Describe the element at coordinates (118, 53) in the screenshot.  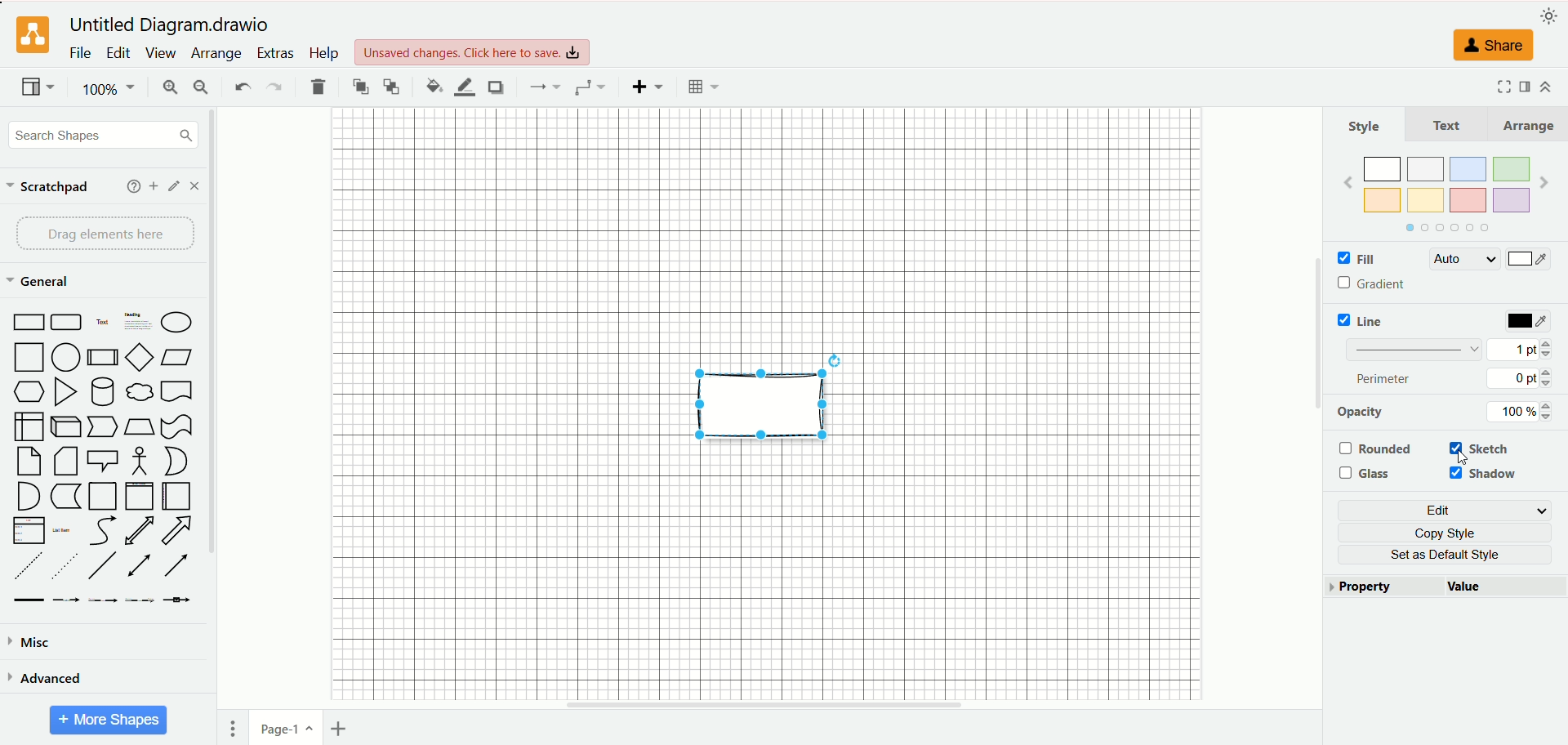
I see `edit` at that location.